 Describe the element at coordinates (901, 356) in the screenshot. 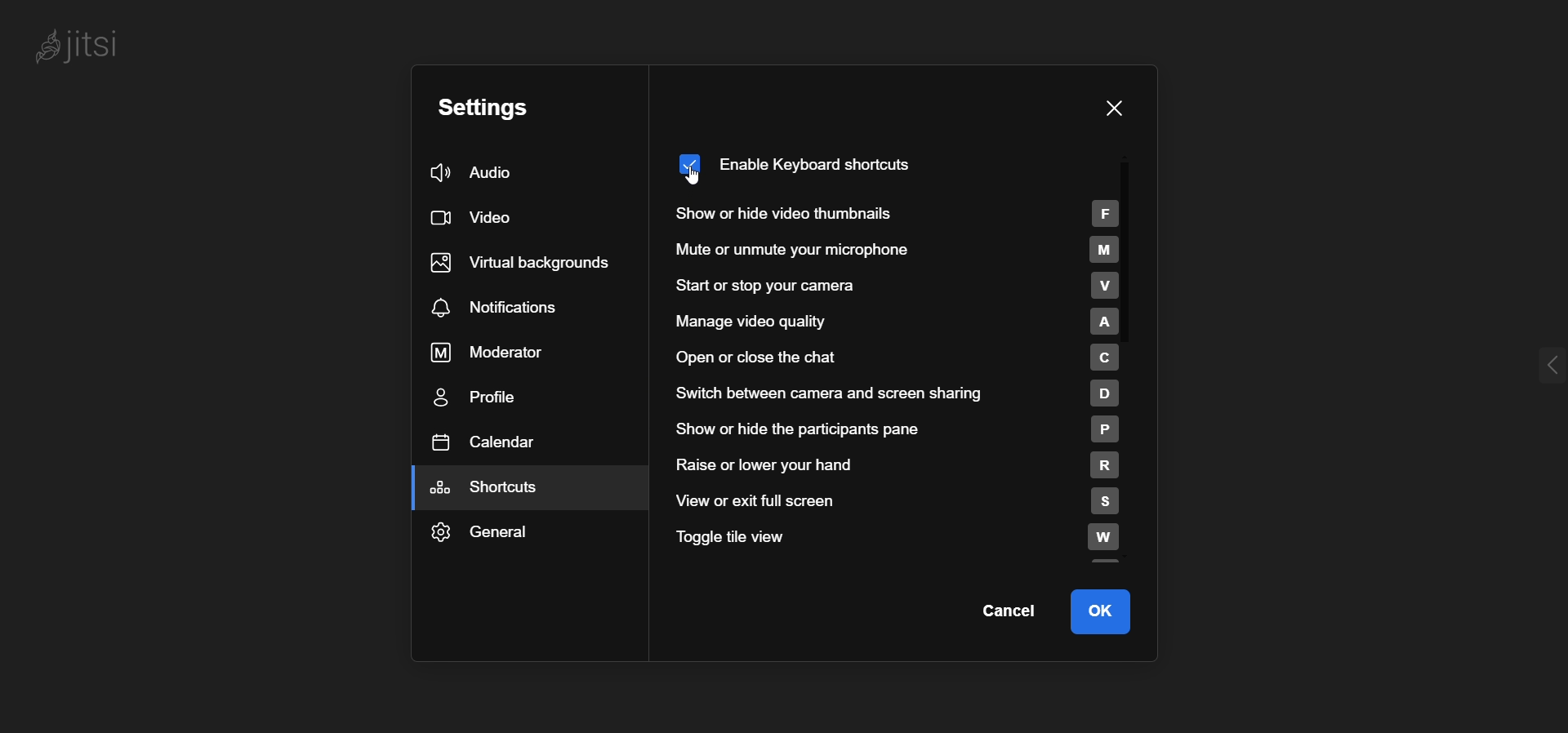

I see `open or close chat` at that location.